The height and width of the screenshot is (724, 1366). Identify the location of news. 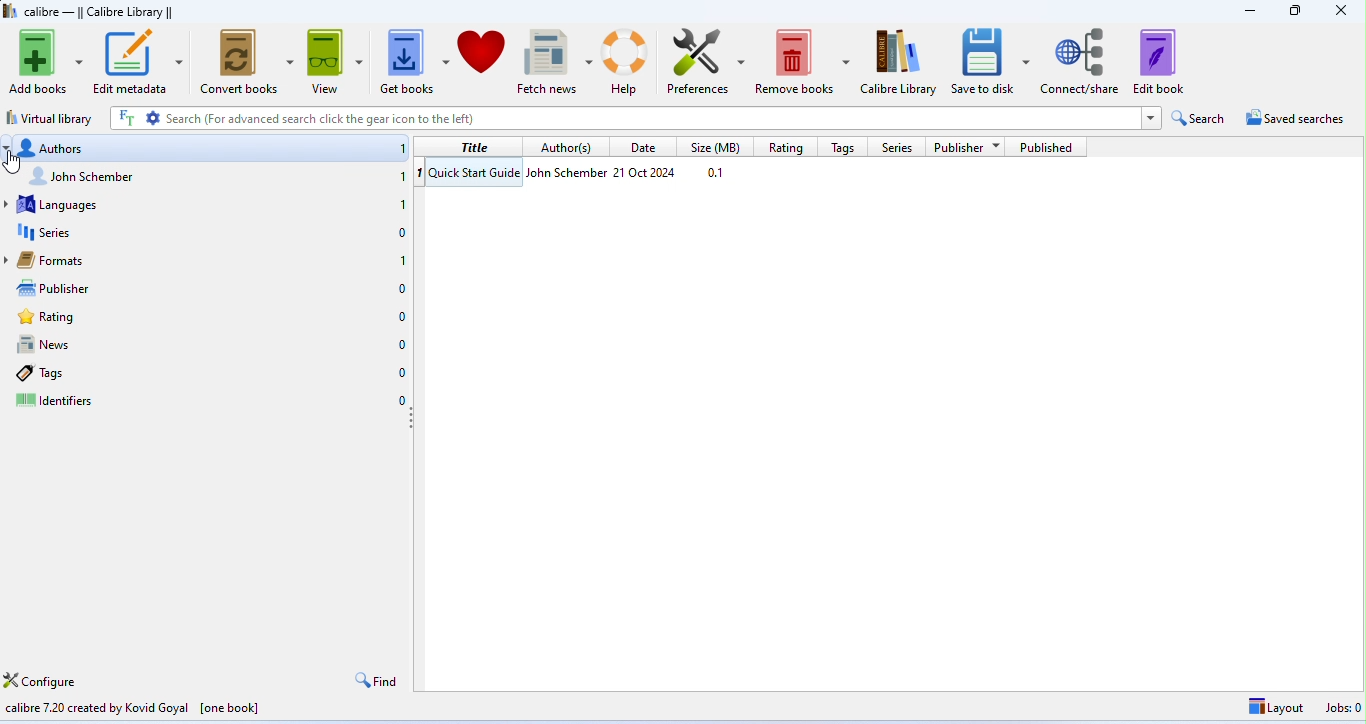
(213, 345).